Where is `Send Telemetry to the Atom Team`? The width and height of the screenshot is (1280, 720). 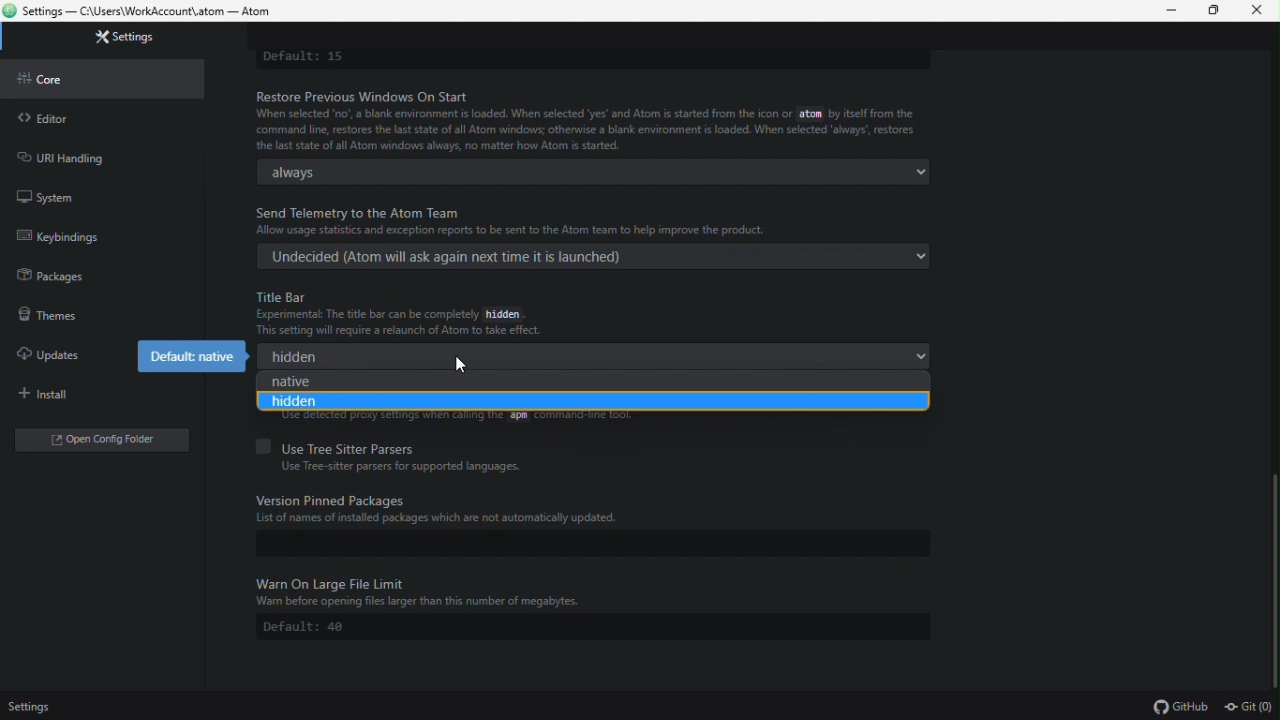
Send Telemetry to the Atom Team is located at coordinates (359, 213).